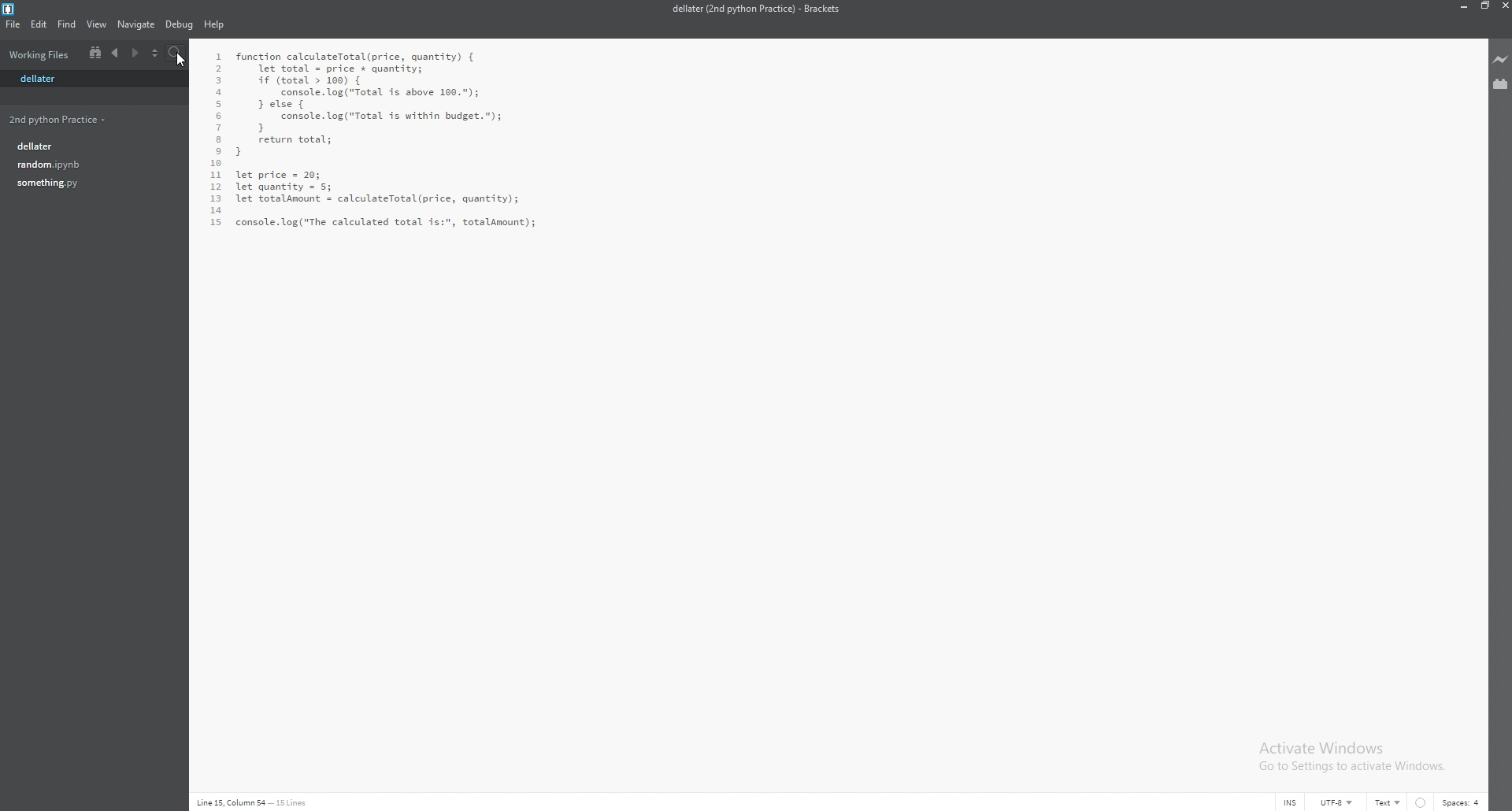 Image resolution: width=1512 pixels, height=811 pixels. Describe the element at coordinates (1336, 802) in the screenshot. I see `UTF-8` at that location.